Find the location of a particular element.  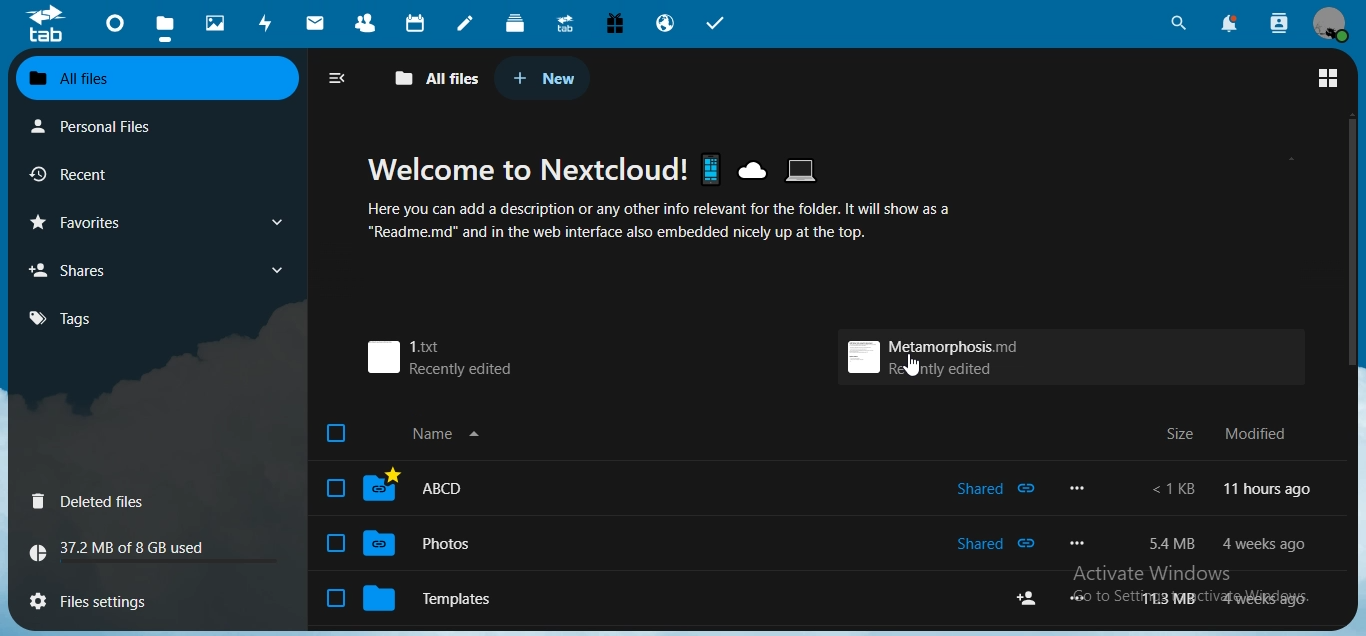

more options is located at coordinates (1080, 543).